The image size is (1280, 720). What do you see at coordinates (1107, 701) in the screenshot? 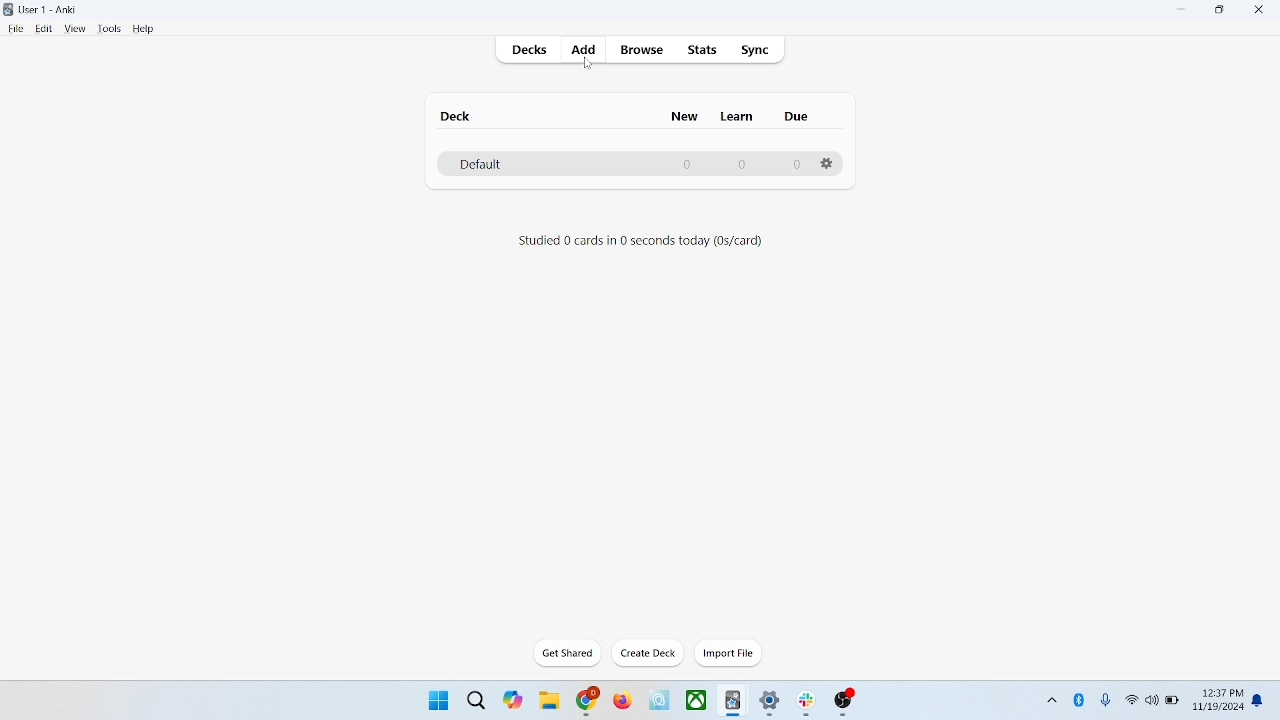
I see `microphone` at bounding box center [1107, 701].